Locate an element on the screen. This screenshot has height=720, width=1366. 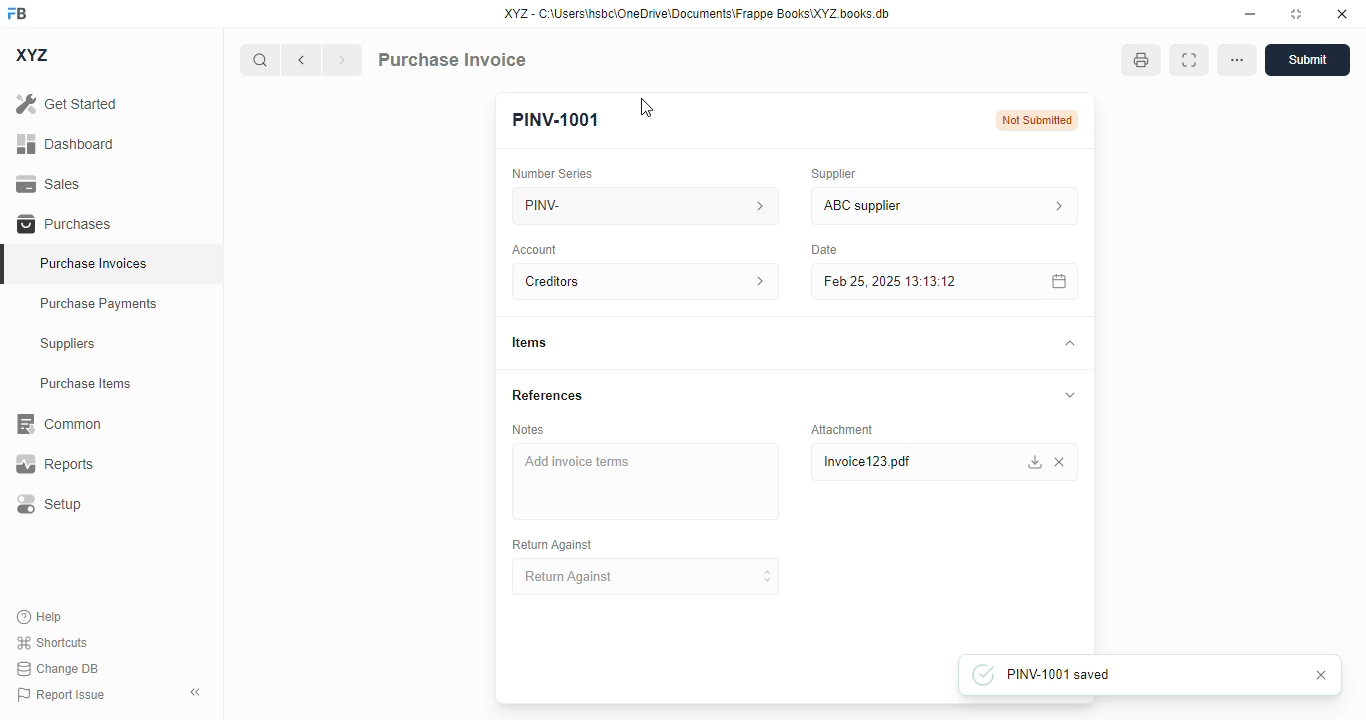
XYZ is located at coordinates (34, 55).